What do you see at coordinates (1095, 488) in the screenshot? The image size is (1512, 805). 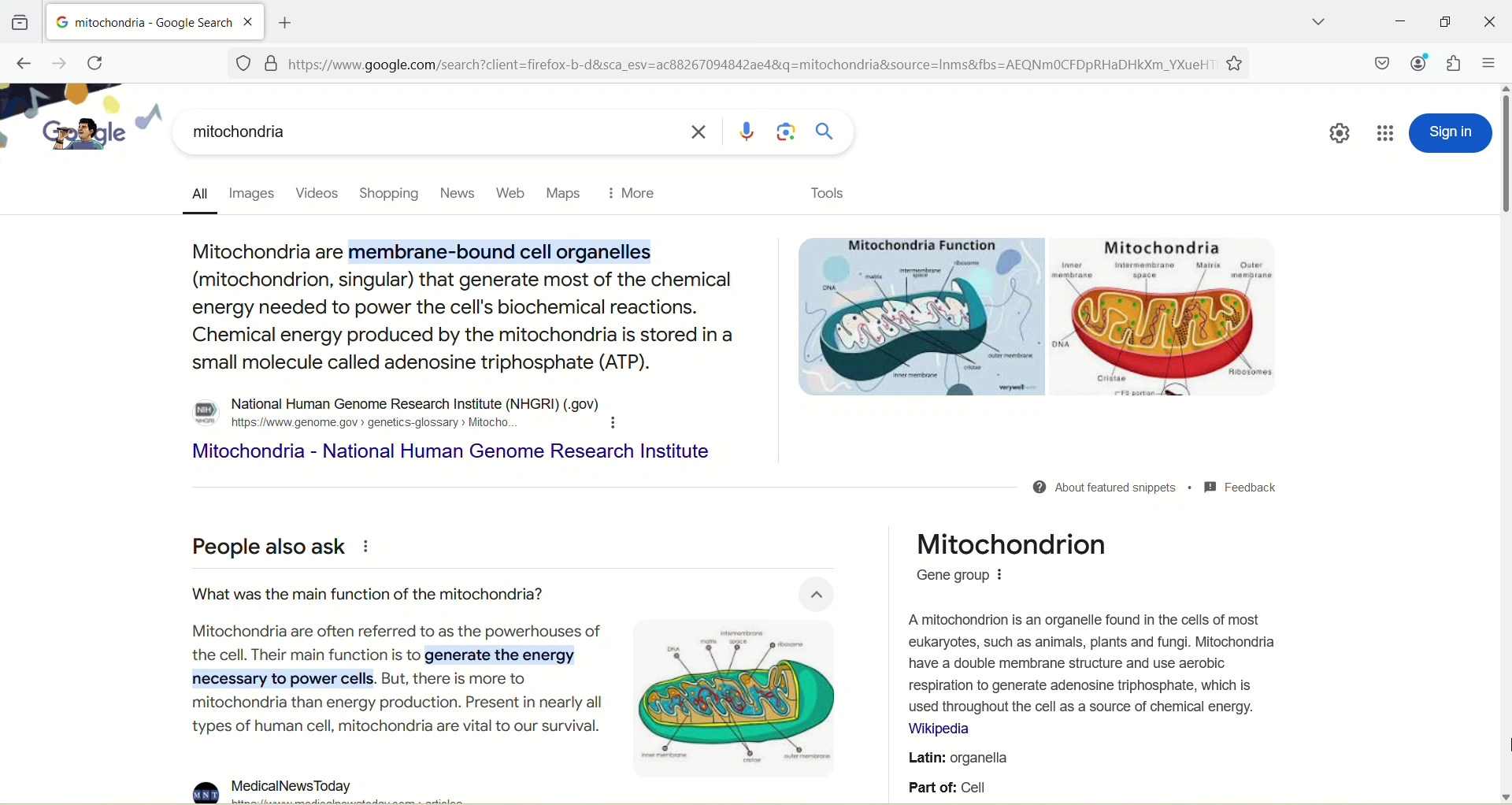 I see `@ About featured snippets` at bounding box center [1095, 488].